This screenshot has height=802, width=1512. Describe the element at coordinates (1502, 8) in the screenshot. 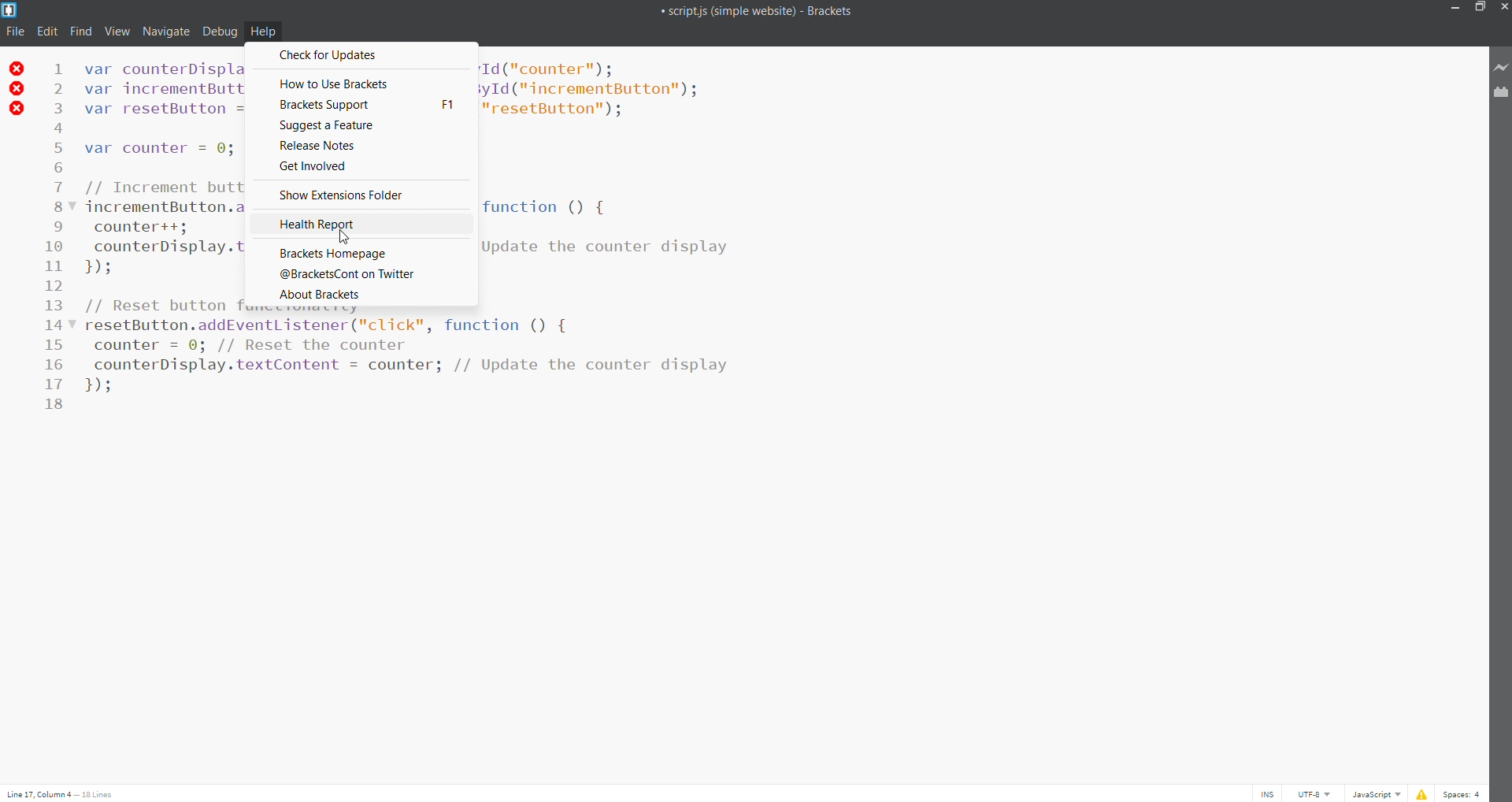

I see `close` at that location.